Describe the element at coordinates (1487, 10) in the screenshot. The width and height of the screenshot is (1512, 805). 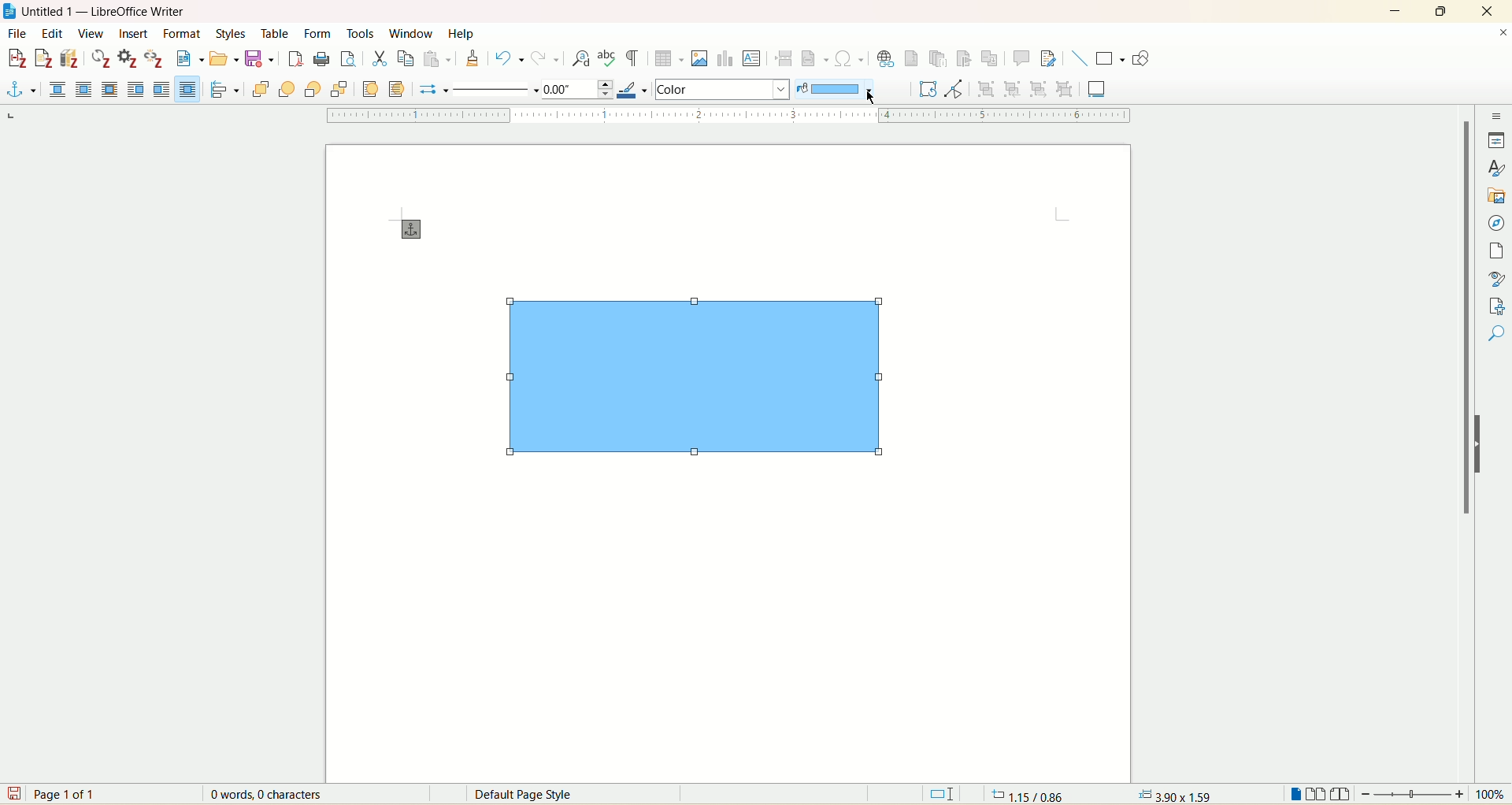
I see `close` at that location.